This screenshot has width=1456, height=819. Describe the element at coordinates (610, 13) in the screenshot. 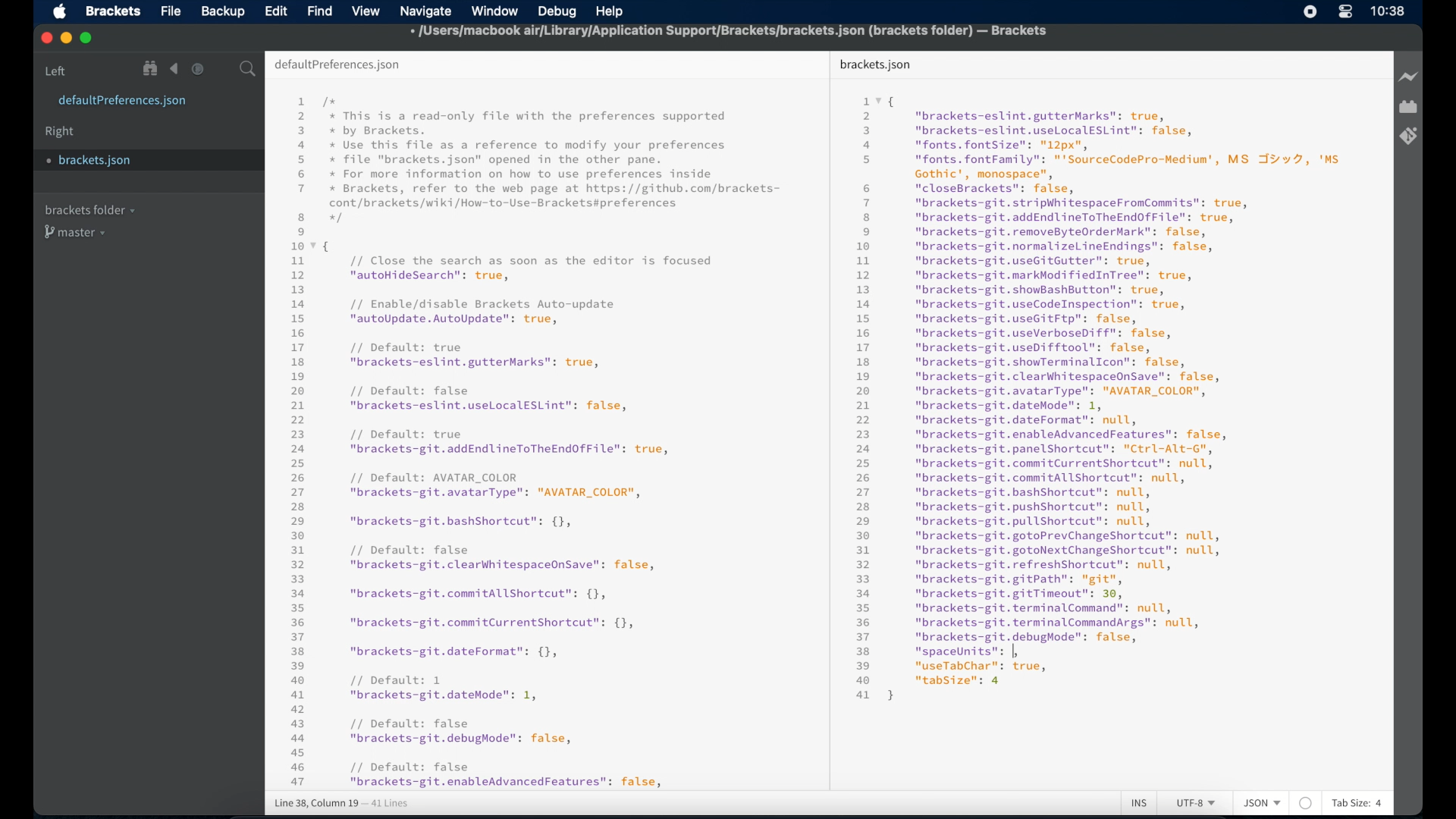

I see `help` at that location.